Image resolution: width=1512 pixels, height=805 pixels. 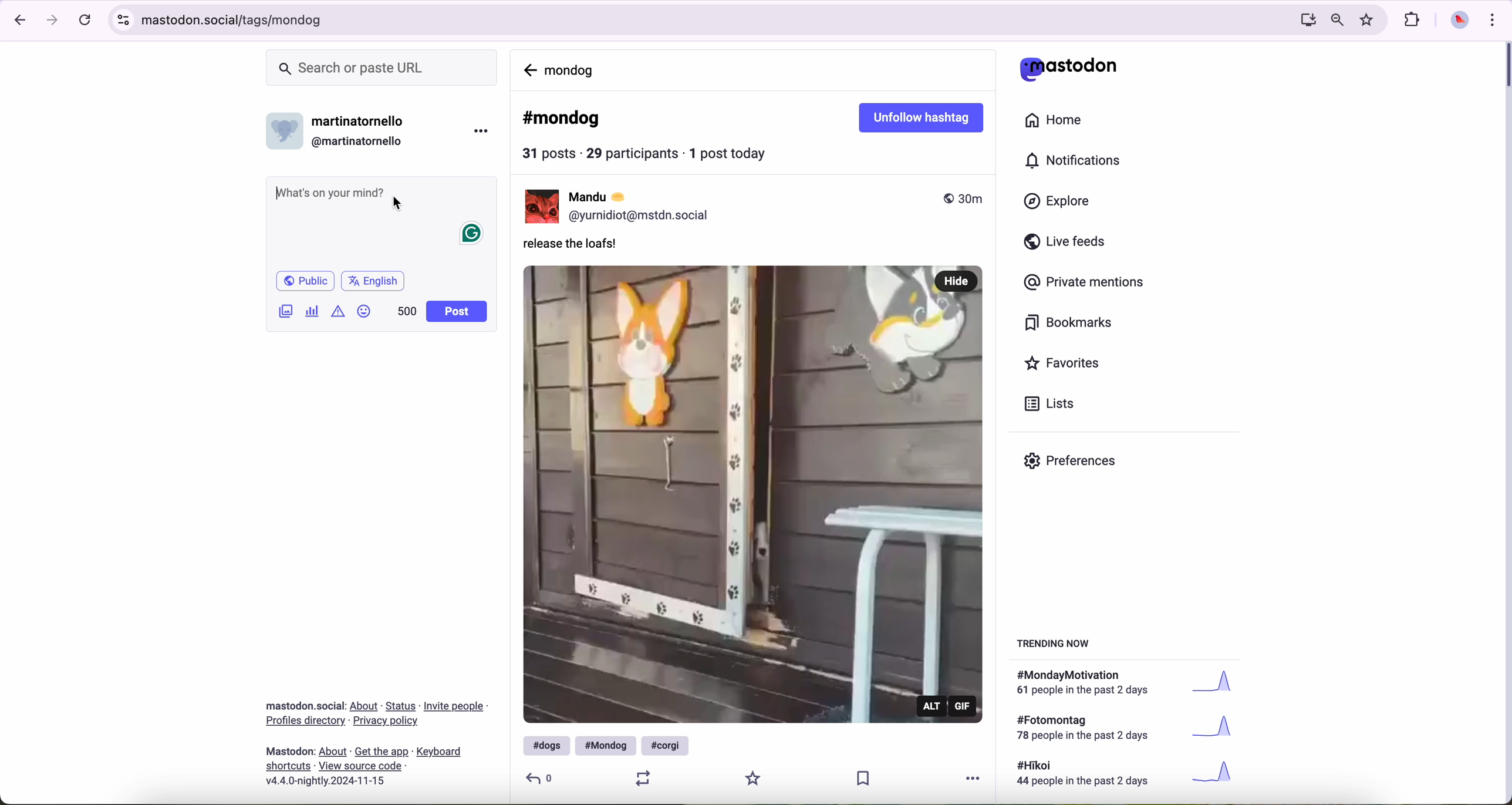 What do you see at coordinates (933, 705) in the screenshot?
I see `alt` at bounding box center [933, 705].